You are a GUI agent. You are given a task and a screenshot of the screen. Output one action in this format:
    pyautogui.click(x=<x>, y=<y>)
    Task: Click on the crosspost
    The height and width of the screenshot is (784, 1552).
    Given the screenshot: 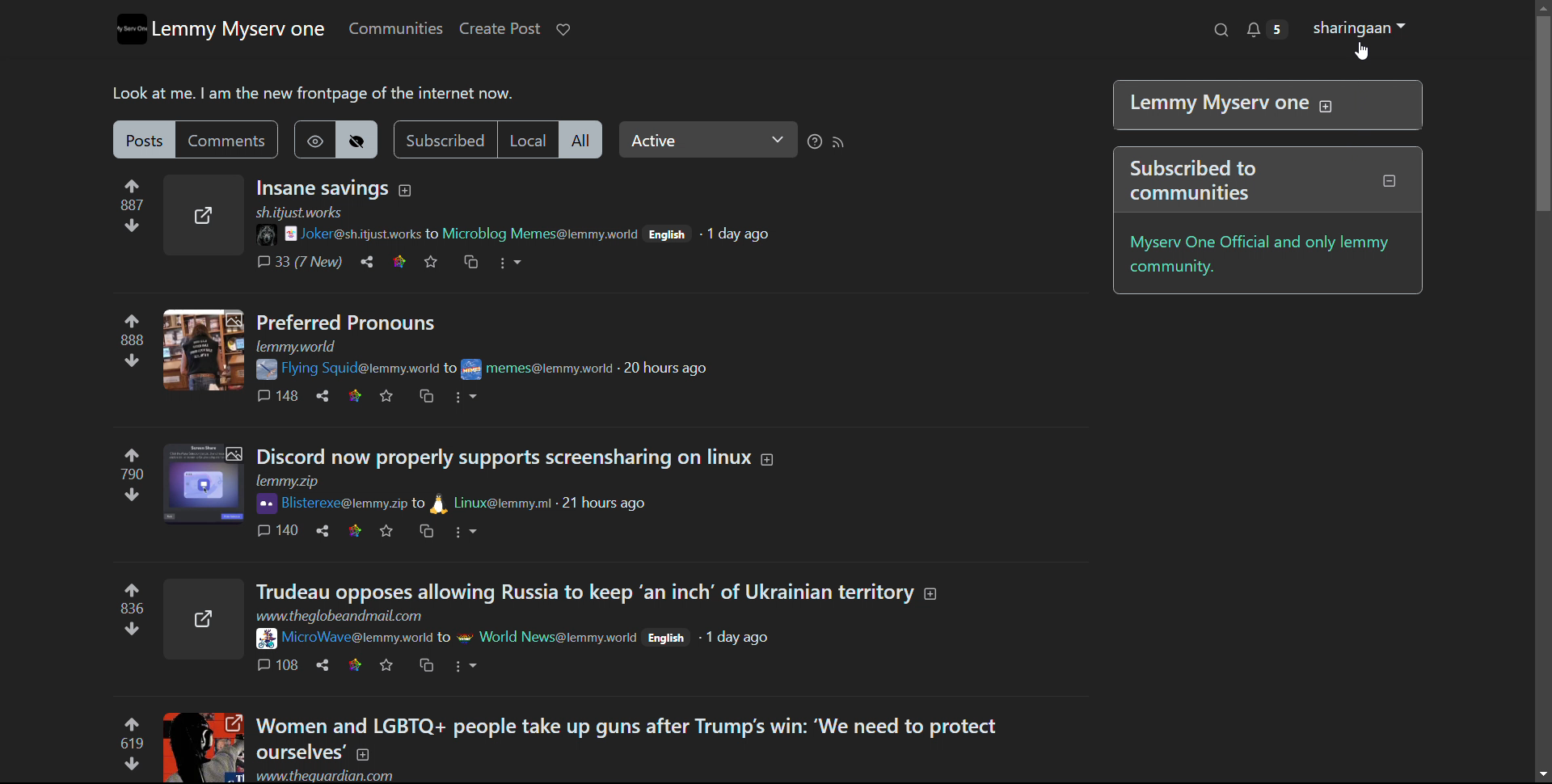 What is the action you would take?
    pyautogui.click(x=469, y=261)
    